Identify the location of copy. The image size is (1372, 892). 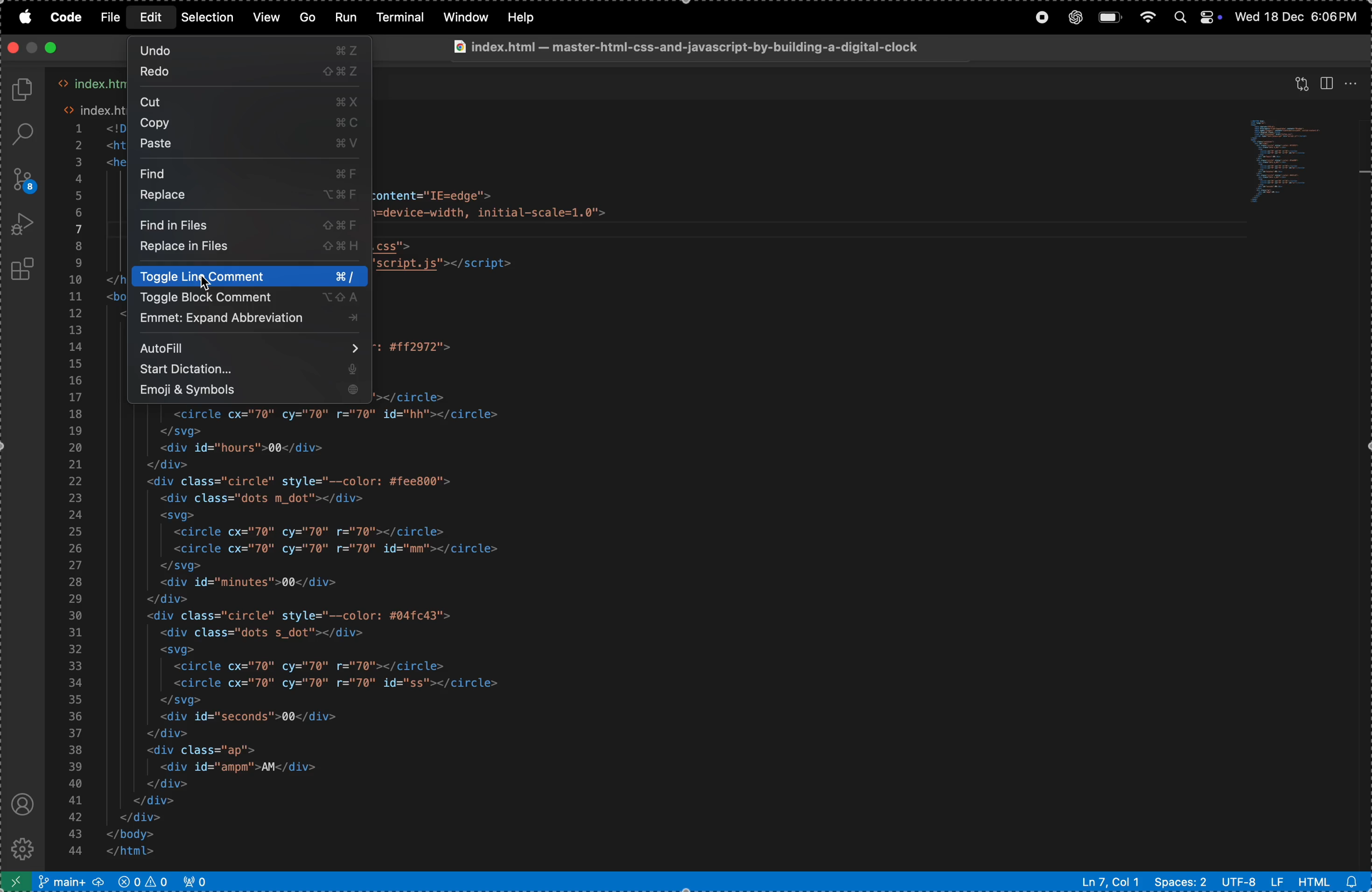
(246, 124).